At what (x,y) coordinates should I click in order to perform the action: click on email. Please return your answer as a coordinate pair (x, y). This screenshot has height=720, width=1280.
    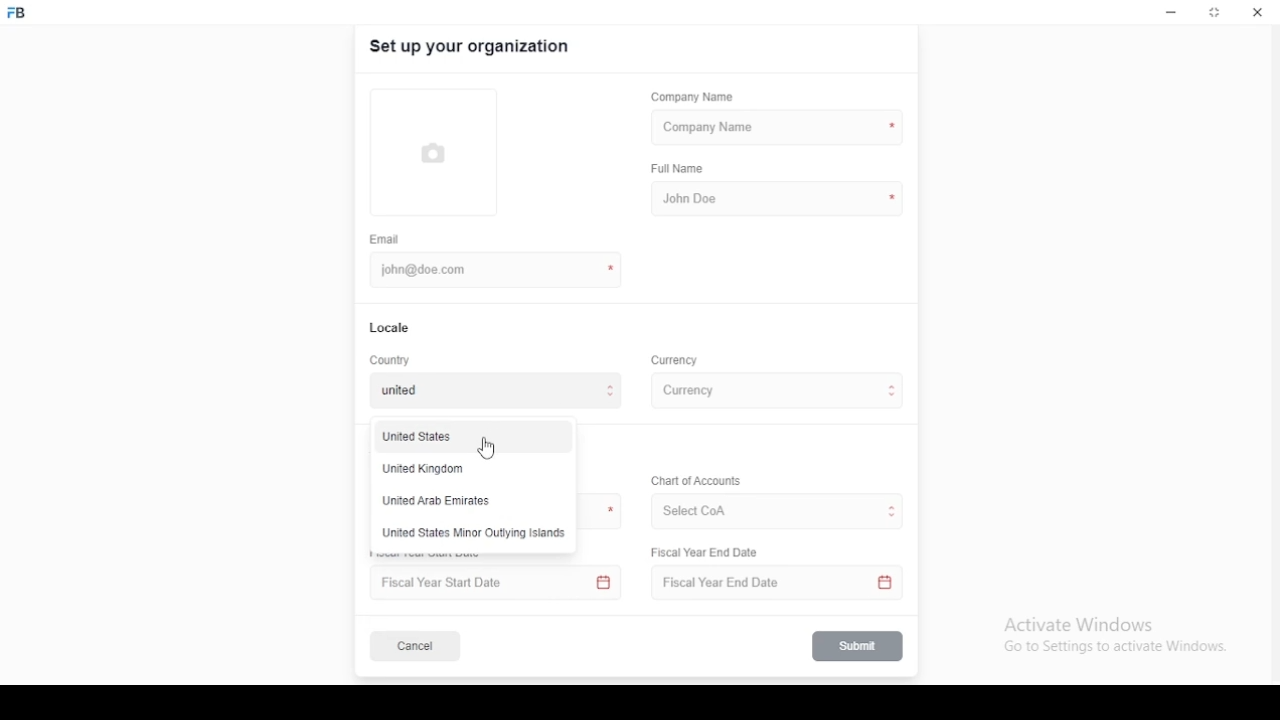
    Looking at the image, I should click on (385, 239).